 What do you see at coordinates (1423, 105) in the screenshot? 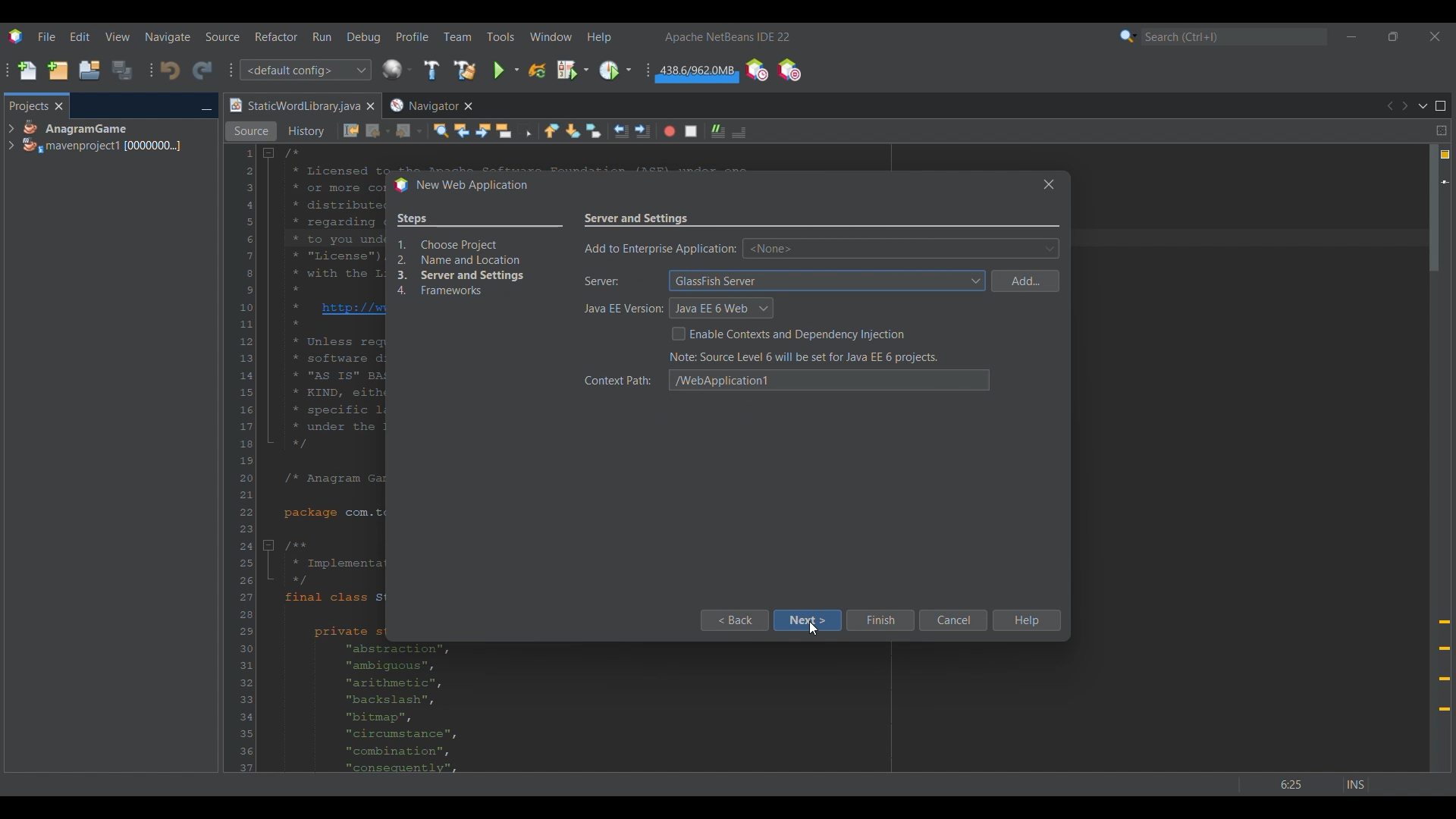
I see `Show documents list` at bounding box center [1423, 105].